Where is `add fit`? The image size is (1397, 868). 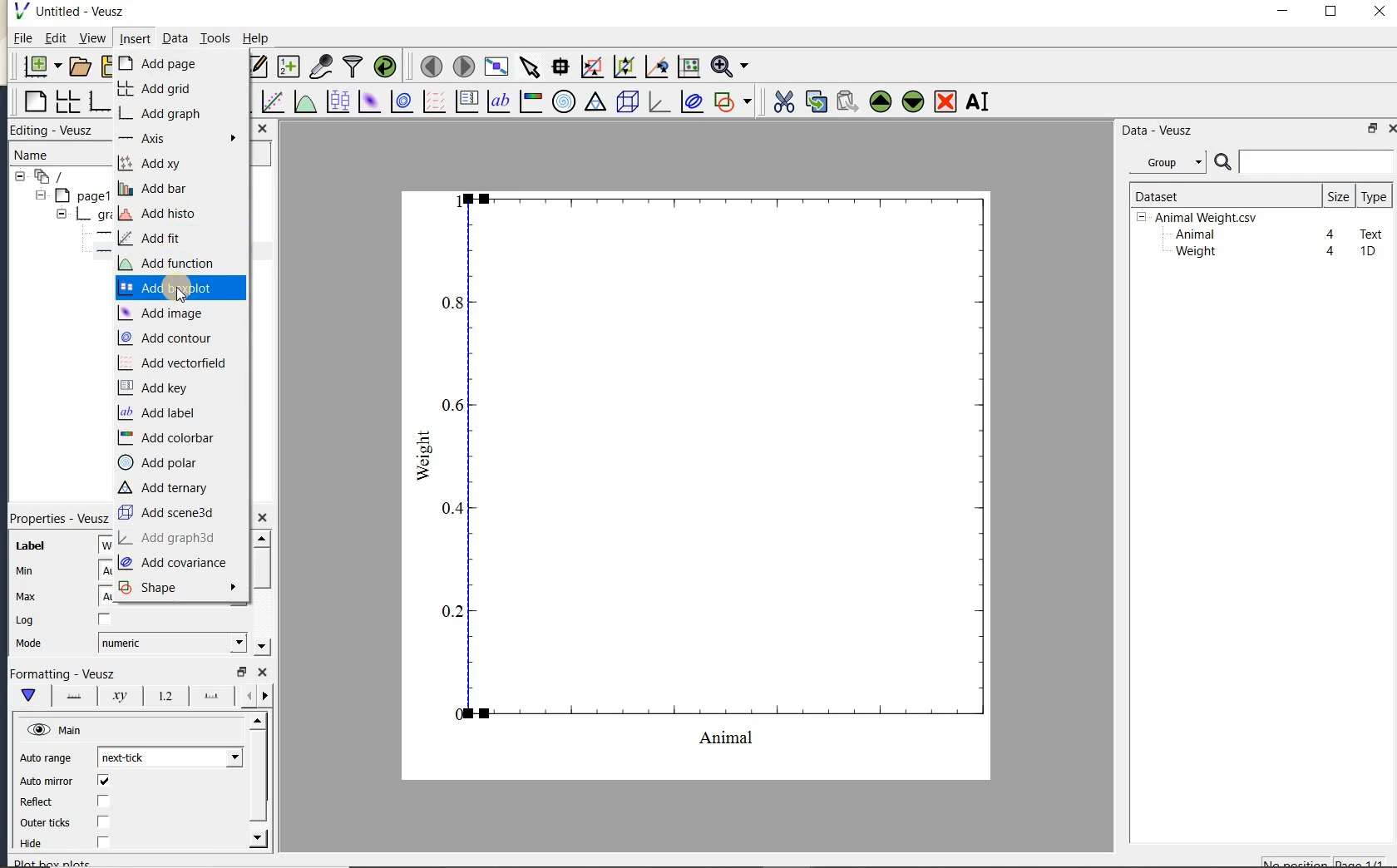 add fit is located at coordinates (152, 238).